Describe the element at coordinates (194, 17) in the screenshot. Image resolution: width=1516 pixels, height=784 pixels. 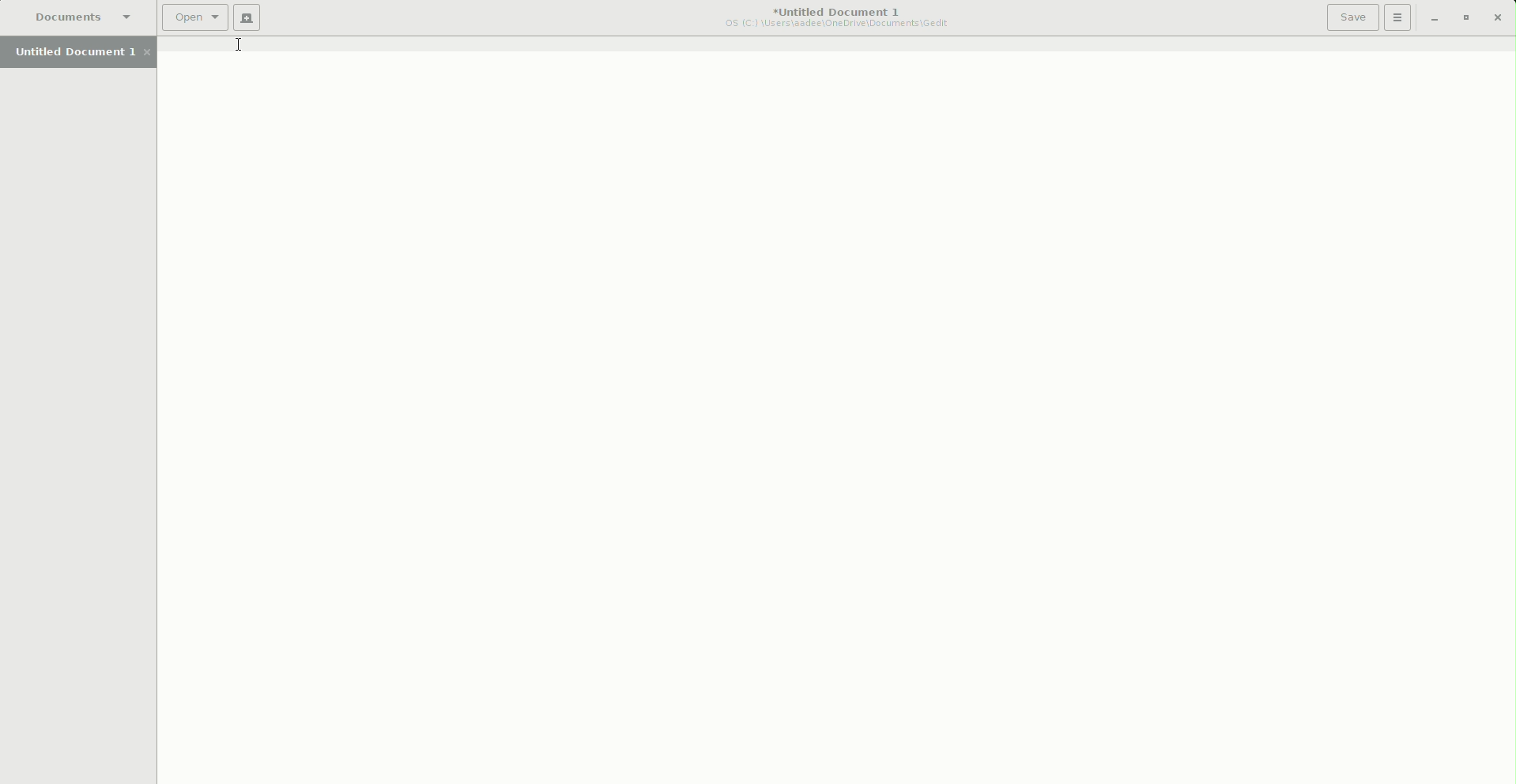
I see `Open` at that location.